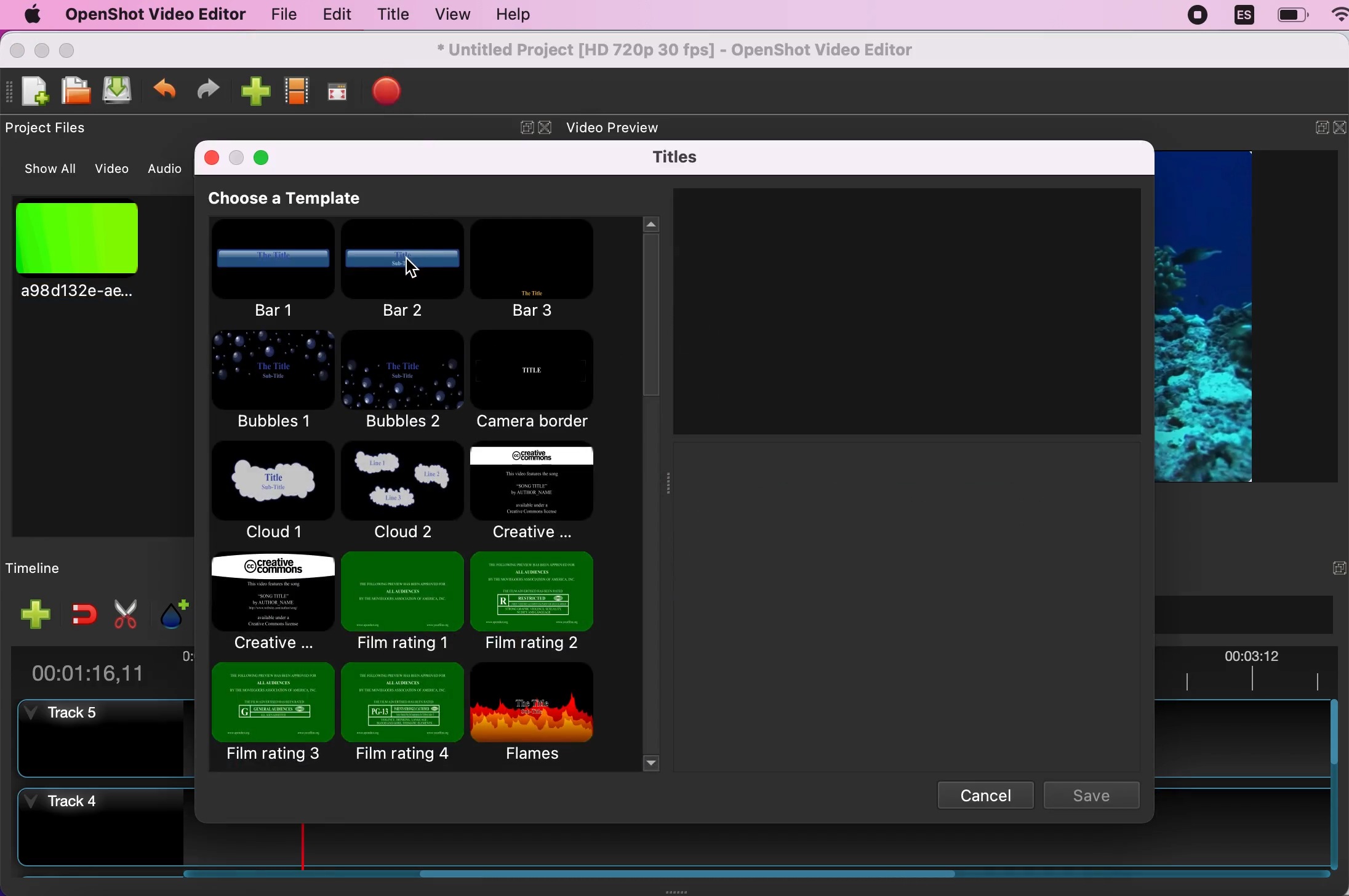 This screenshot has width=1349, height=896. What do you see at coordinates (298, 89) in the screenshot?
I see `choose profile` at bounding box center [298, 89].